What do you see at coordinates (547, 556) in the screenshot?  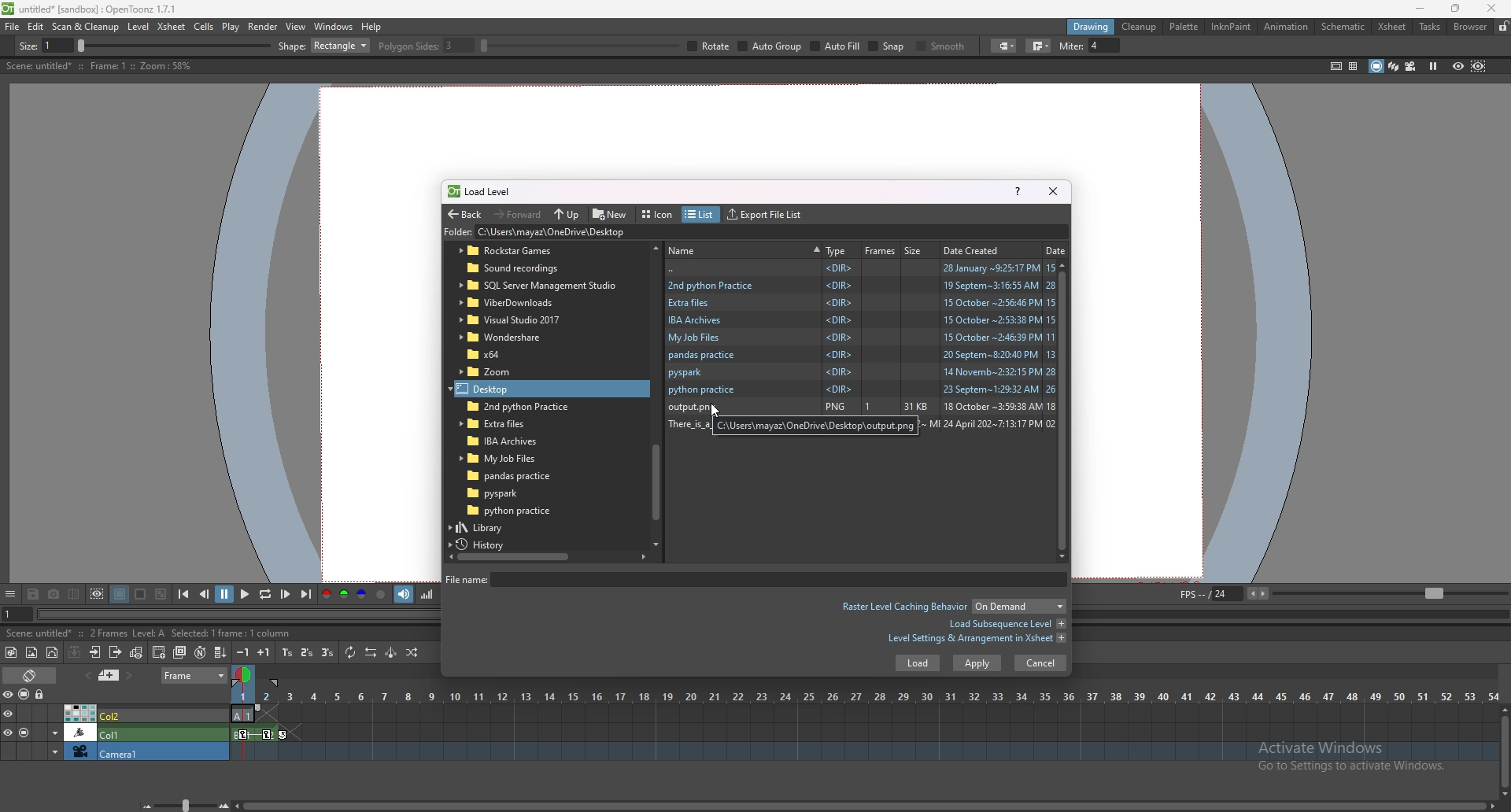 I see `scroll bar` at bounding box center [547, 556].